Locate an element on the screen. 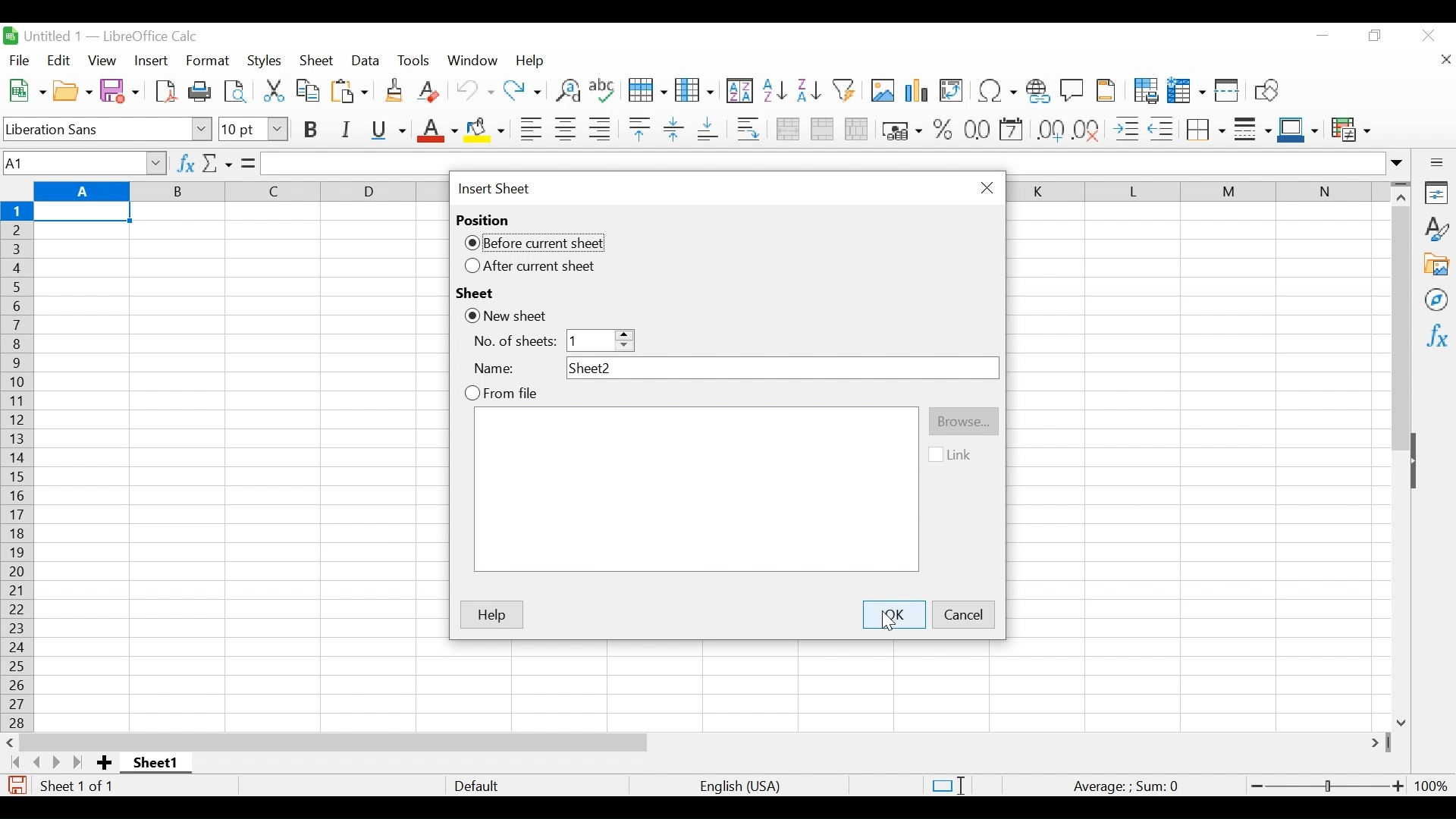  (un)select Open from file is located at coordinates (498, 394).